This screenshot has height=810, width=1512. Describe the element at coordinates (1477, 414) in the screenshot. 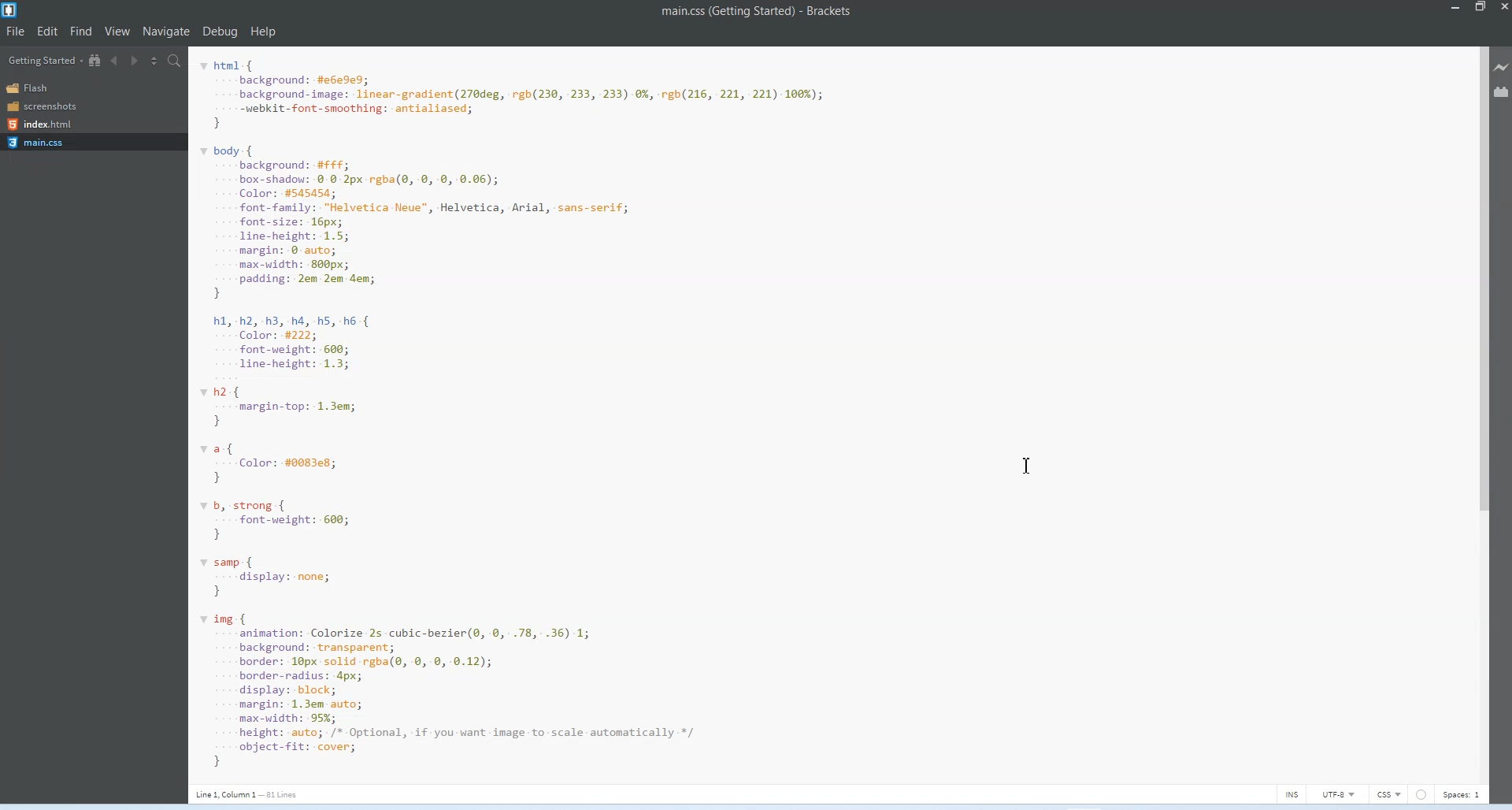

I see `Vertical Scroll bar` at that location.